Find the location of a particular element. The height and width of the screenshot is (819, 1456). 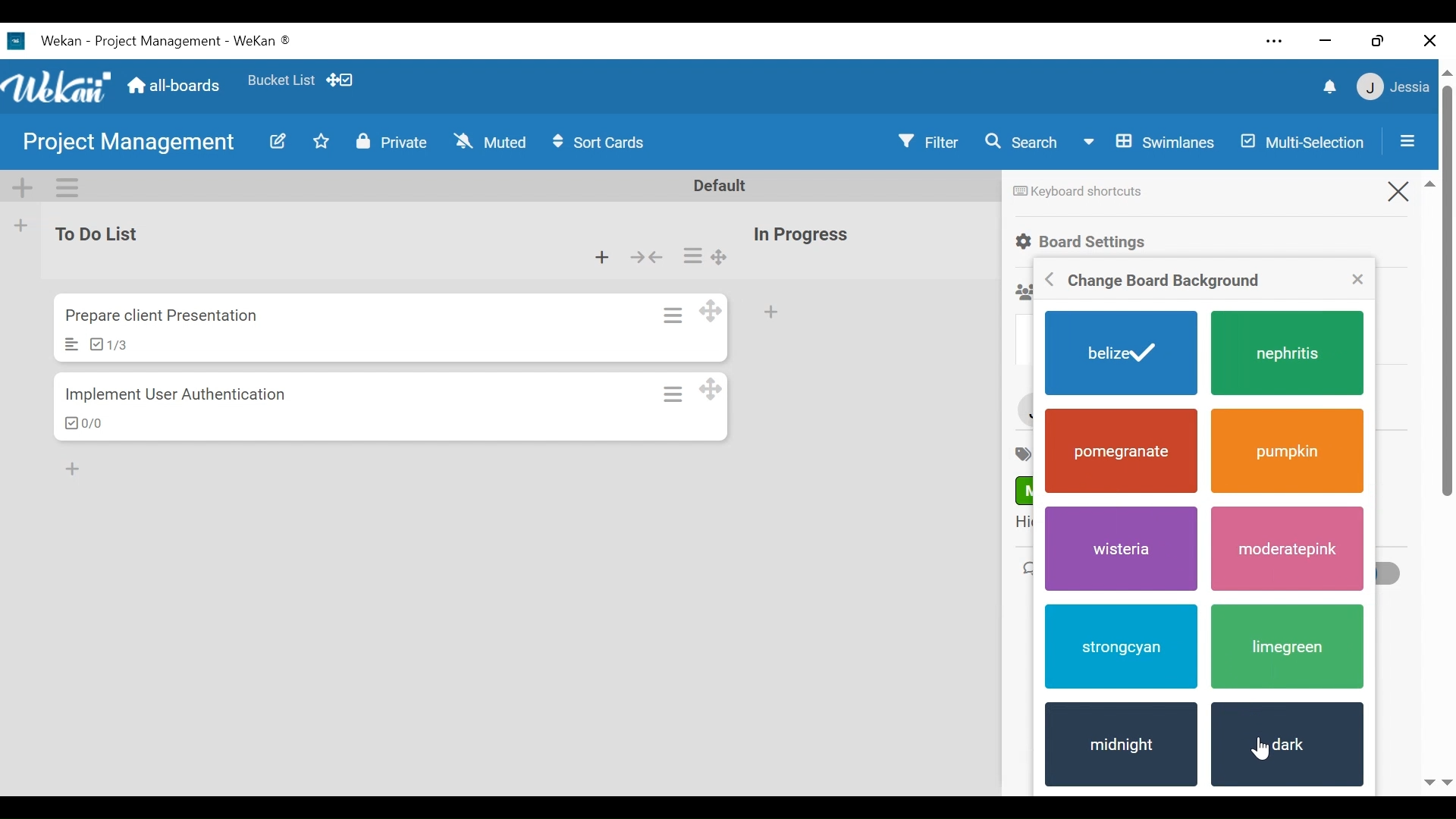

moderate pink is located at coordinates (1288, 549).